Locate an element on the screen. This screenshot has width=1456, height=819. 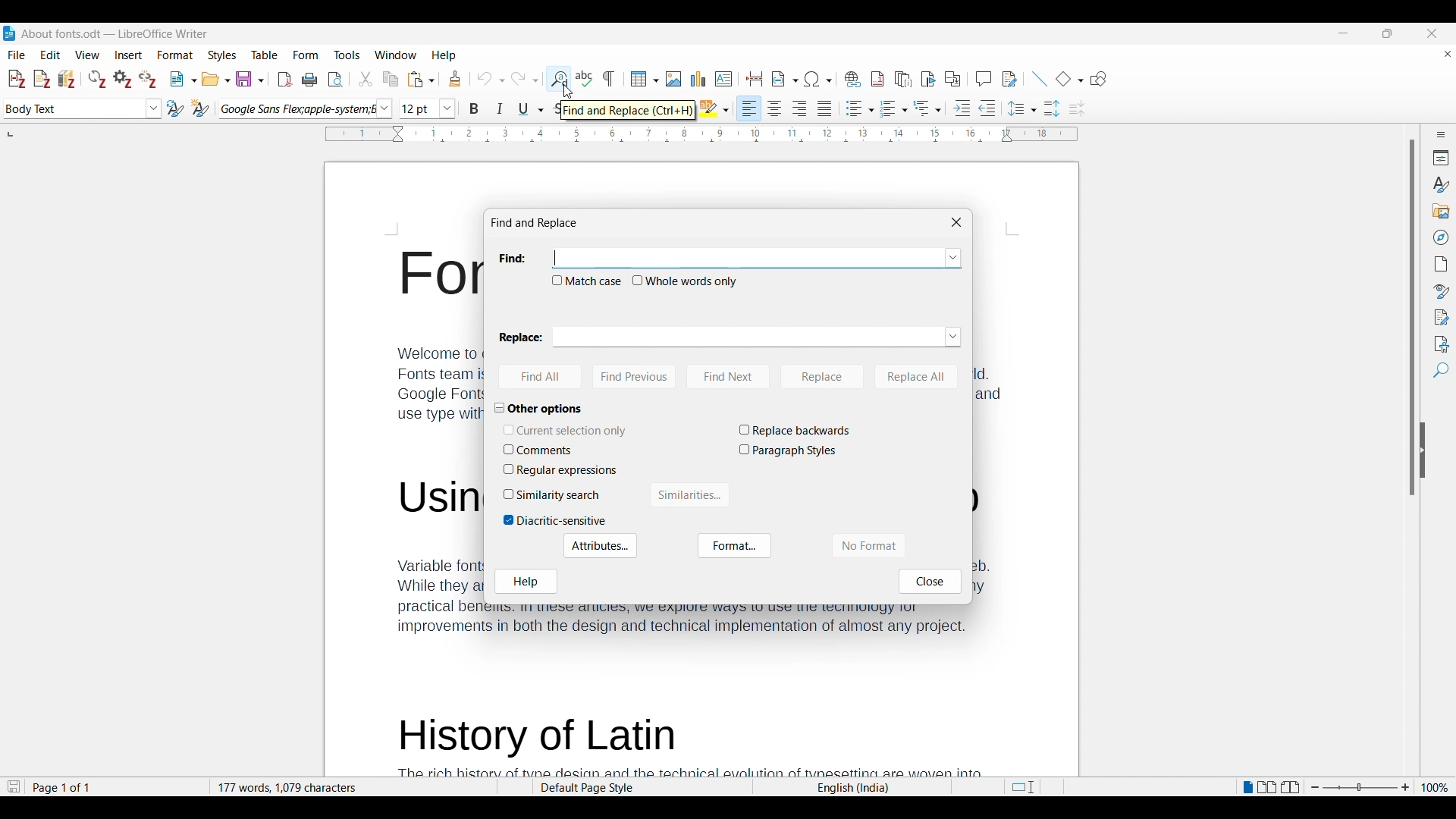
Find options is located at coordinates (953, 259).